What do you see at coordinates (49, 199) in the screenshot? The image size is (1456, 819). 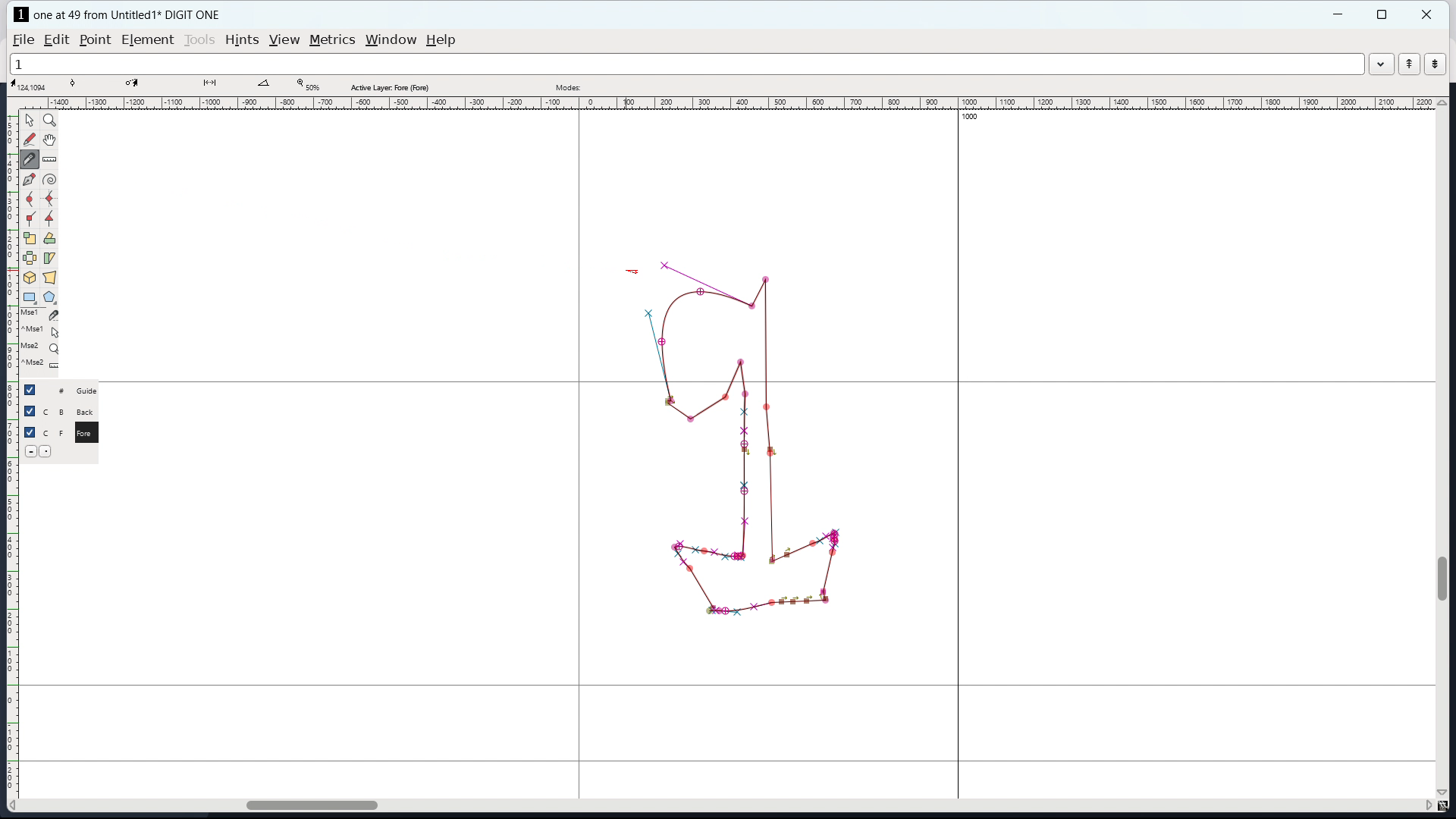 I see `add a curve point always either horizontal or vertical` at bounding box center [49, 199].